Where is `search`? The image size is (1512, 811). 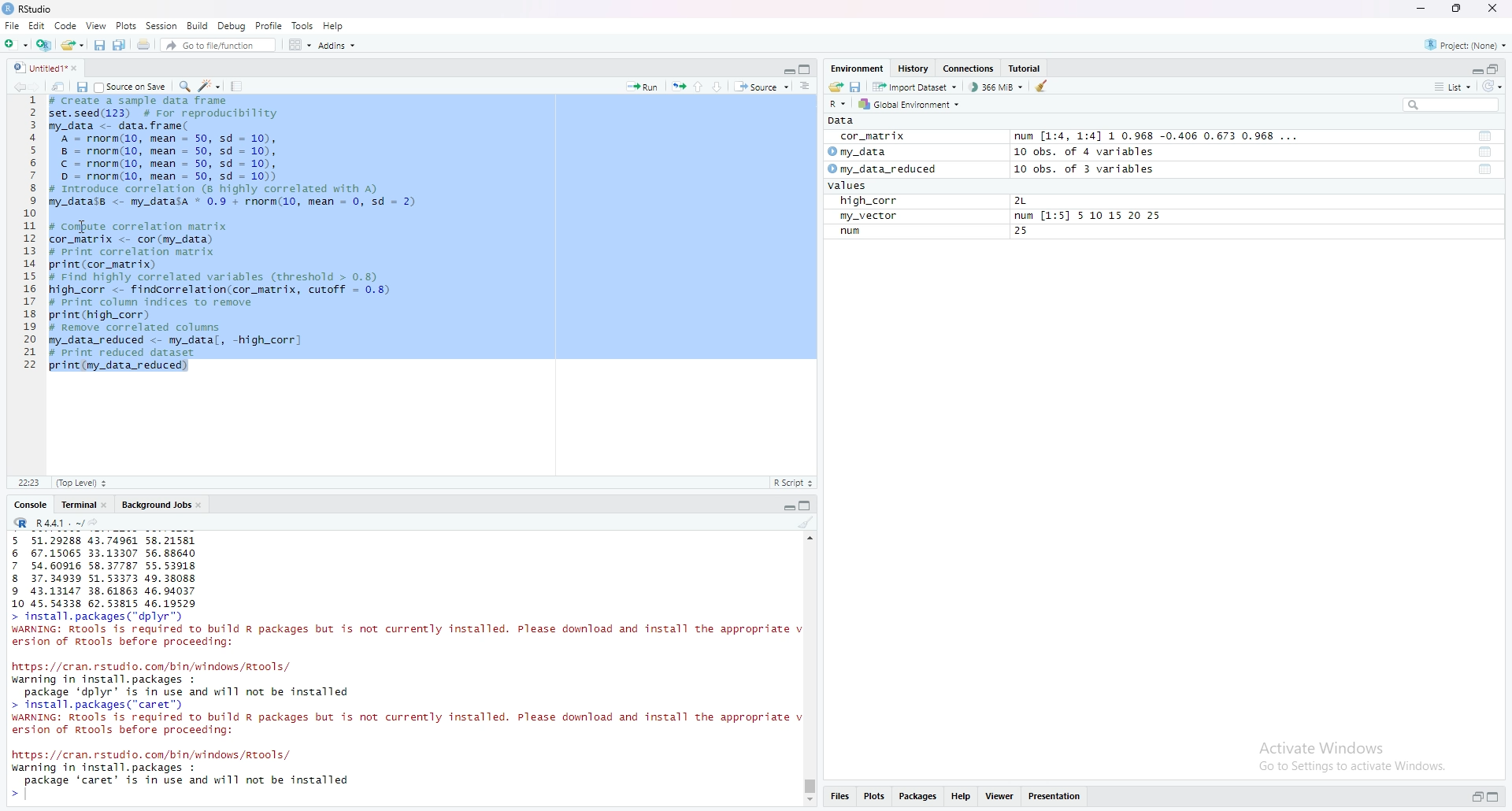
search is located at coordinates (186, 87).